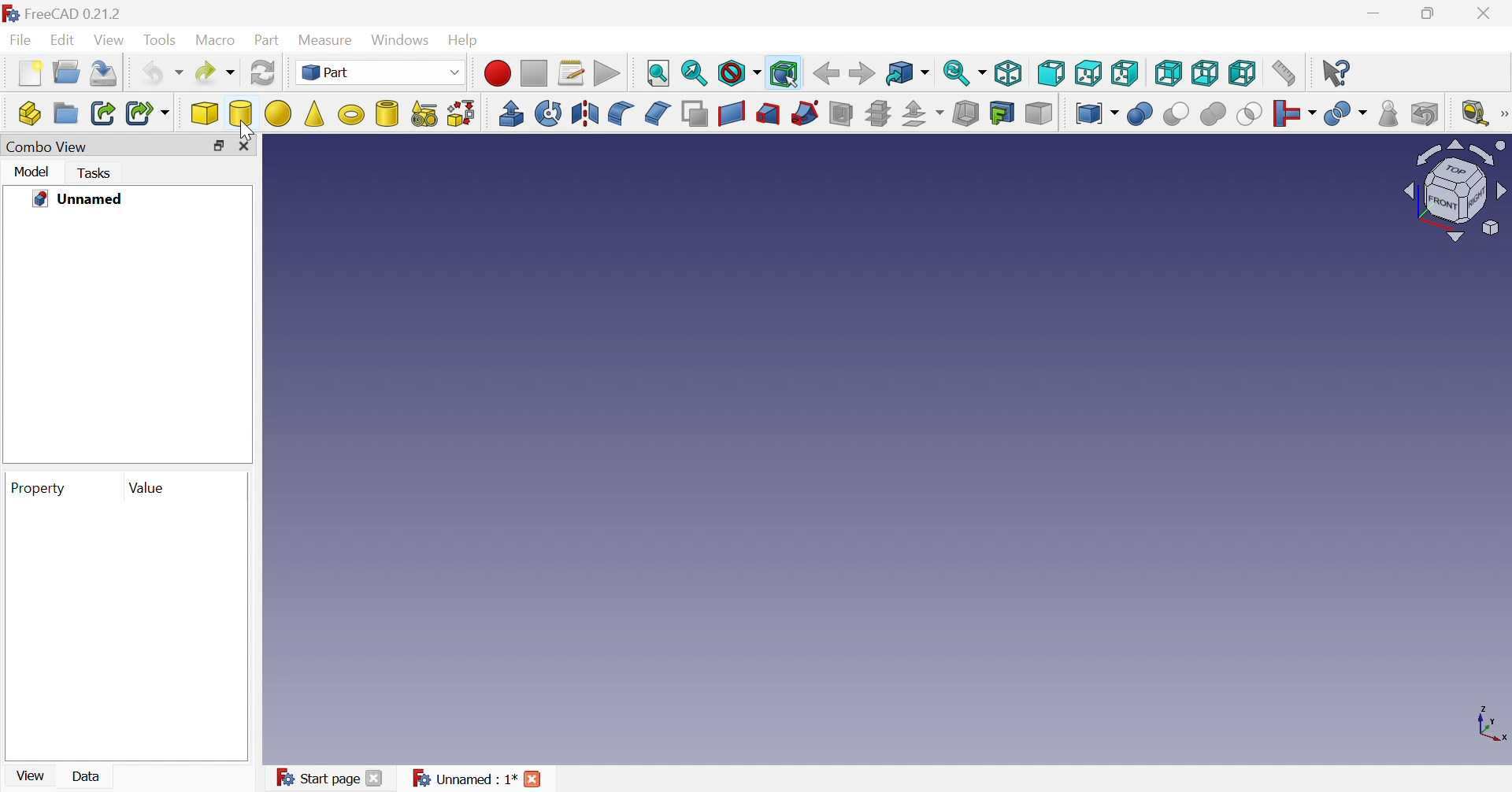 The width and height of the screenshot is (1512, 792). Describe the element at coordinates (1376, 15) in the screenshot. I see `Minimize` at that location.